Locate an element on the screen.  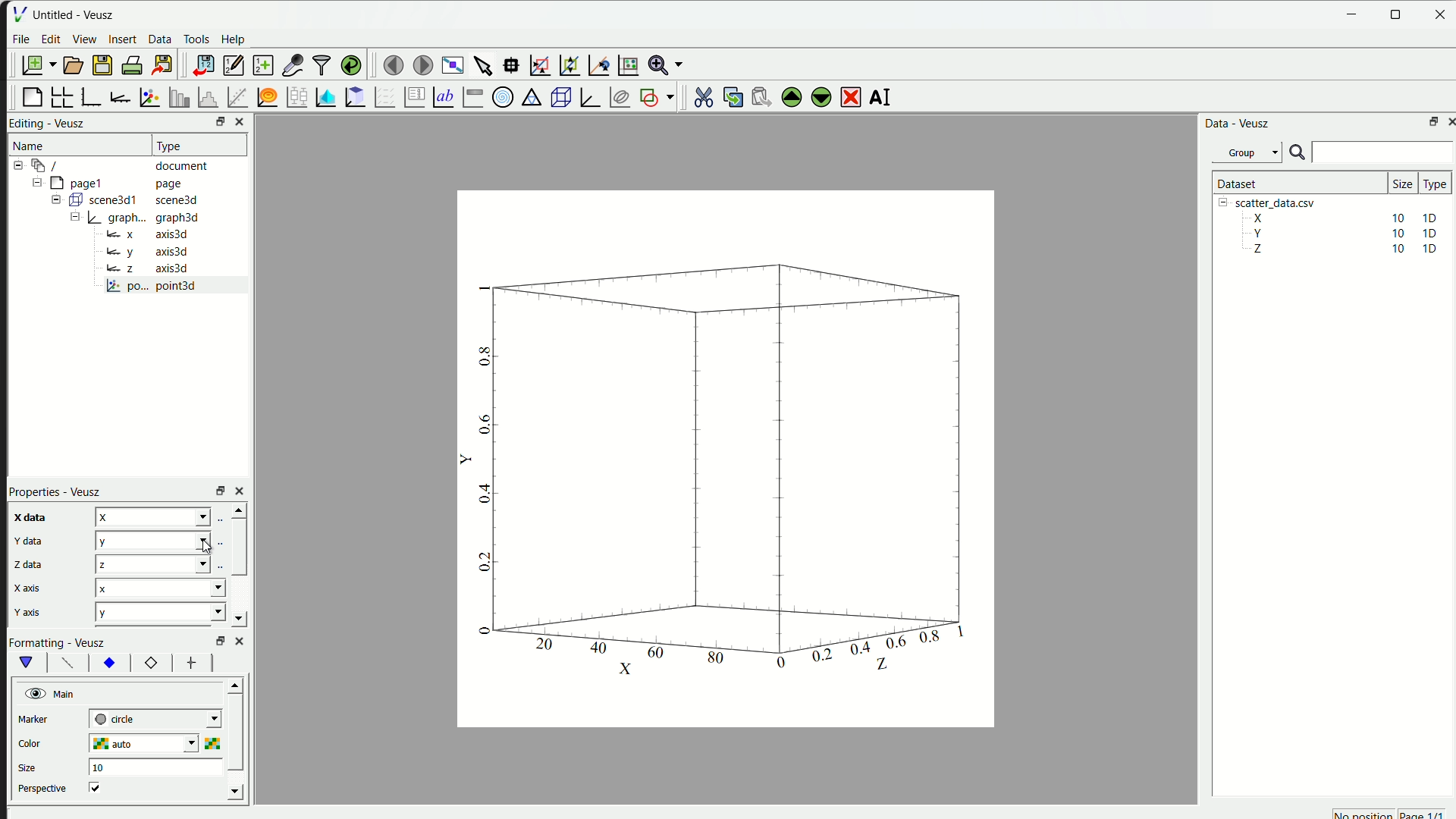
zoom out graph axes is located at coordinates (567, 66).